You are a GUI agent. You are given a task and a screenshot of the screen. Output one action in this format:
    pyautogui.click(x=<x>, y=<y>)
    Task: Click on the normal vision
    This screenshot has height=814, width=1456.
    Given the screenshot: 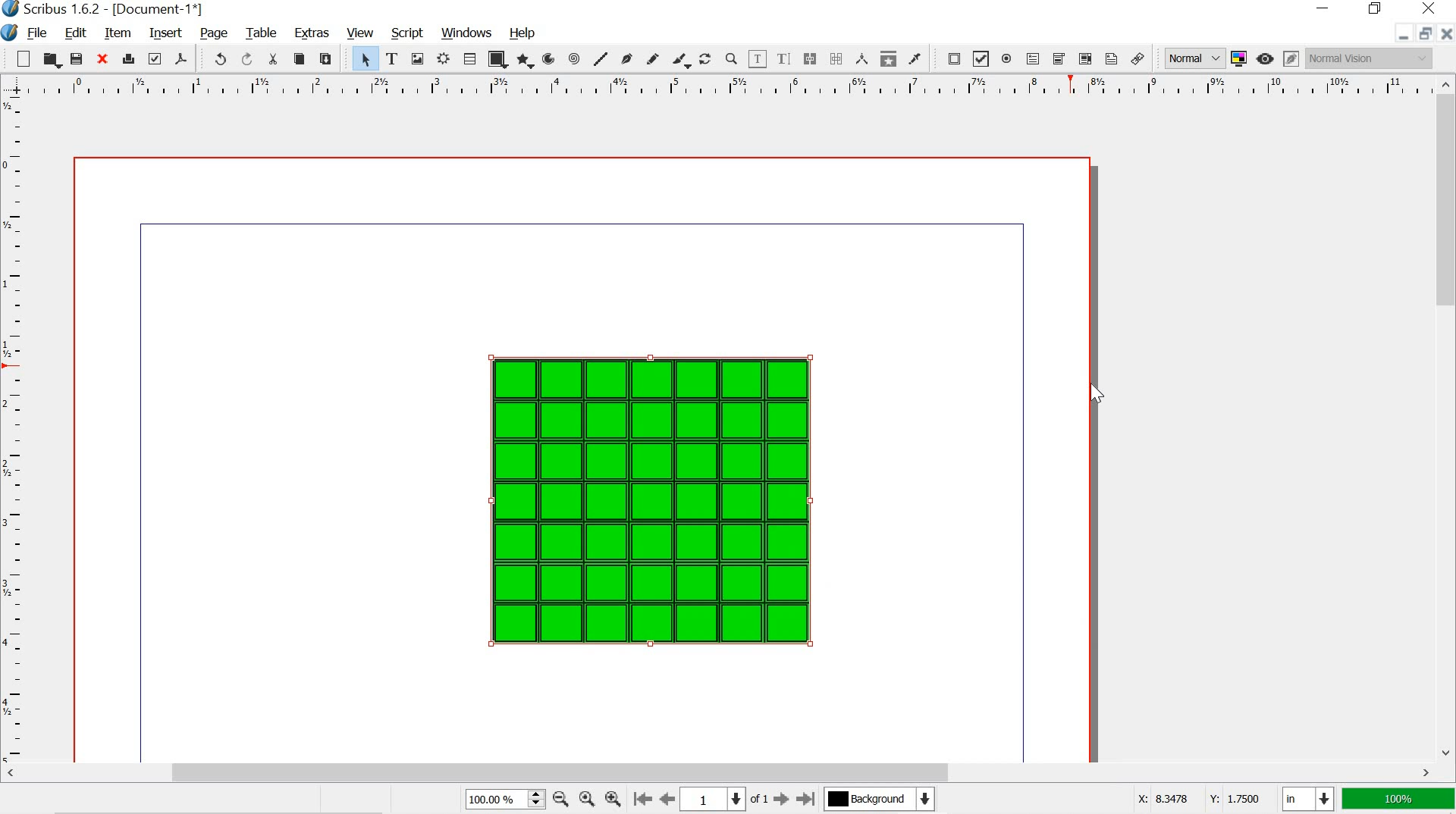 What is the action you would take?
    pyautogui.click(x=1370, y=58)
    